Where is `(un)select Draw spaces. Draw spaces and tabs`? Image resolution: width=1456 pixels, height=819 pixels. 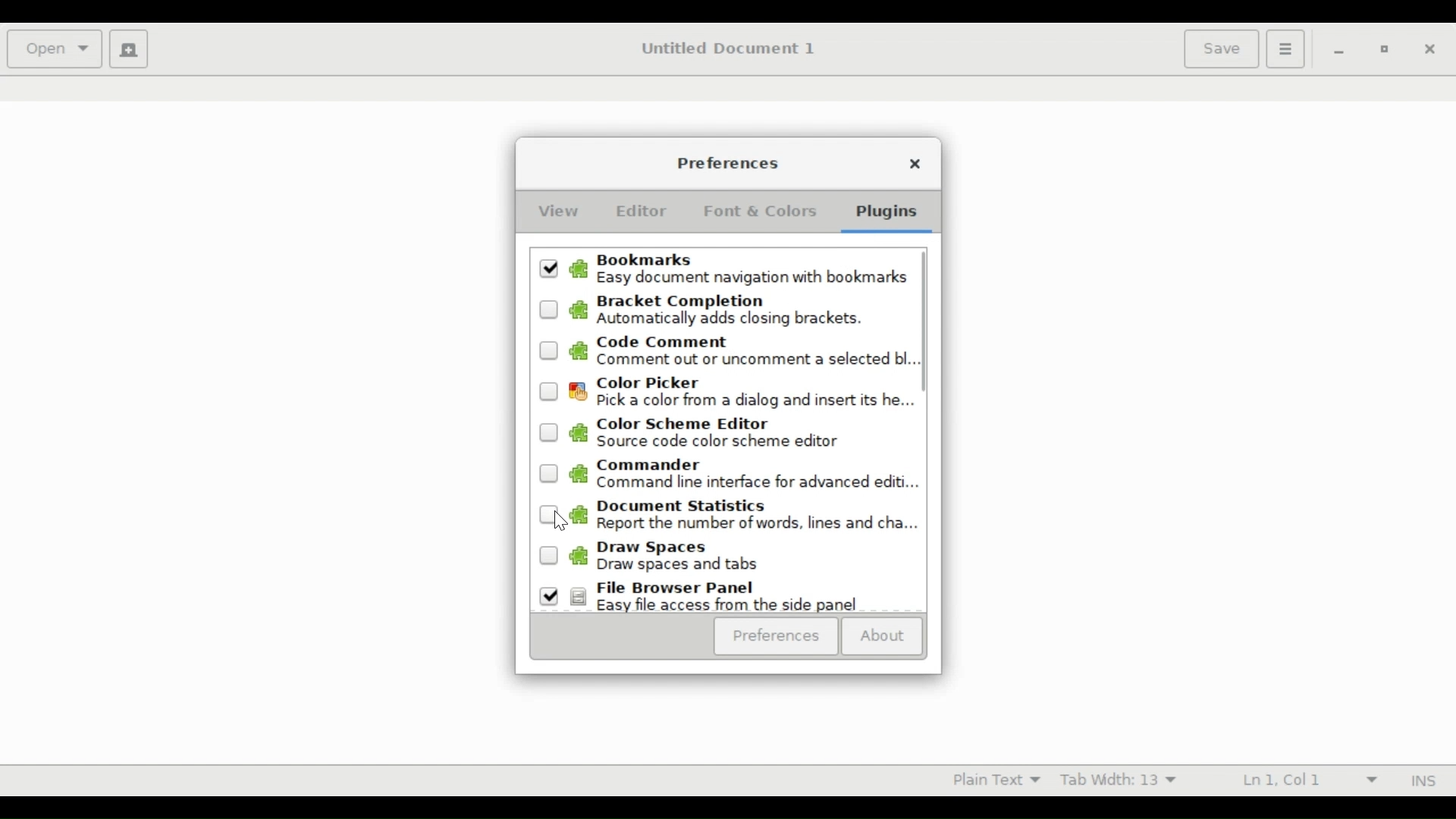
(un)select Draw spaces. Draw spaces and tabs is located at coordinates (741, 559).